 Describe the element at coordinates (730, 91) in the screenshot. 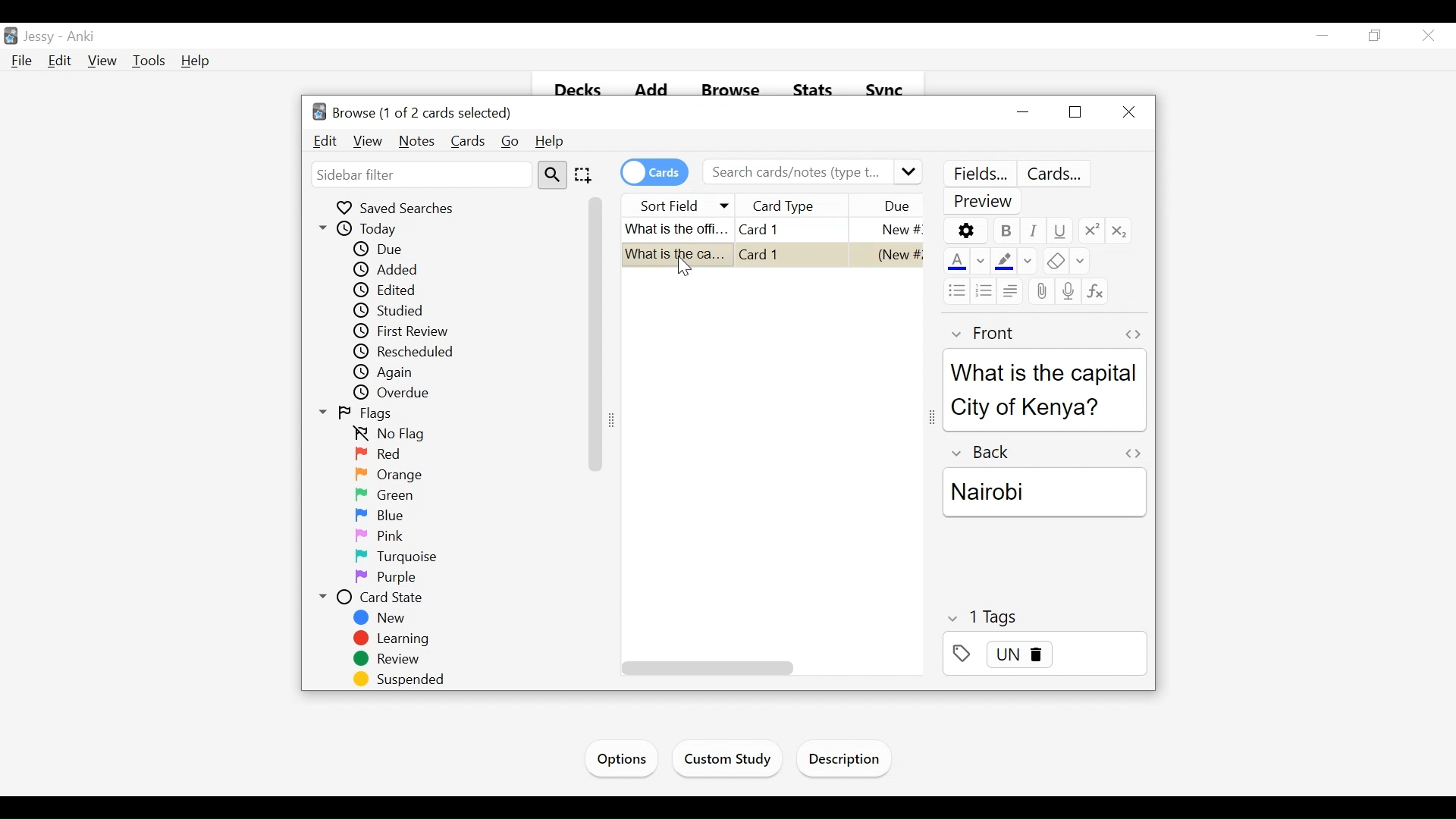

I see `Browse` at that location.